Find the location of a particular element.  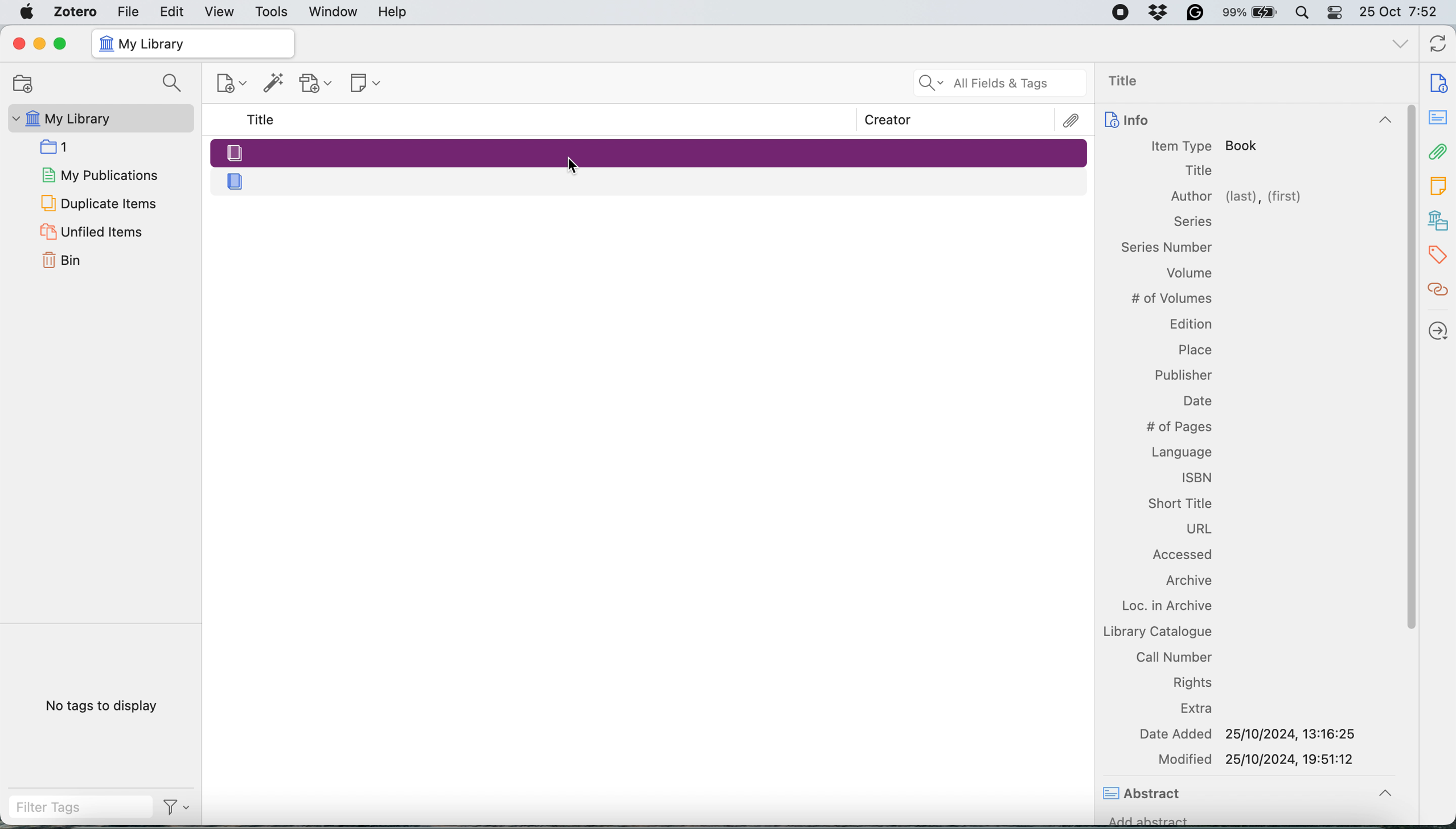

ISBN is located at coordinates (1197, 477).